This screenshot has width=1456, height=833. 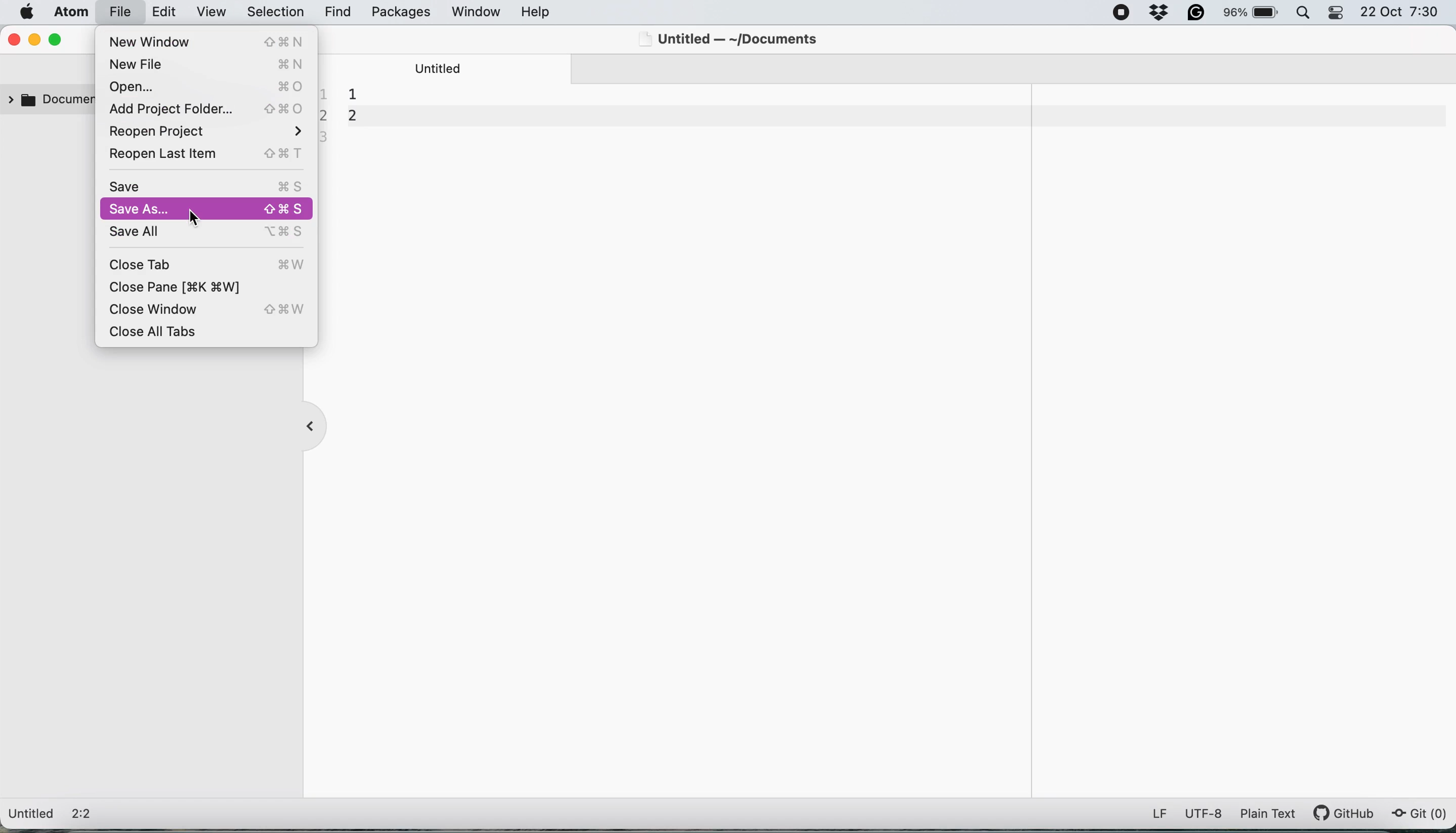 What do you see at coordinates (1191, 14) in the screenshot?
I see `grammarly` at bounding box center [1191, 14].